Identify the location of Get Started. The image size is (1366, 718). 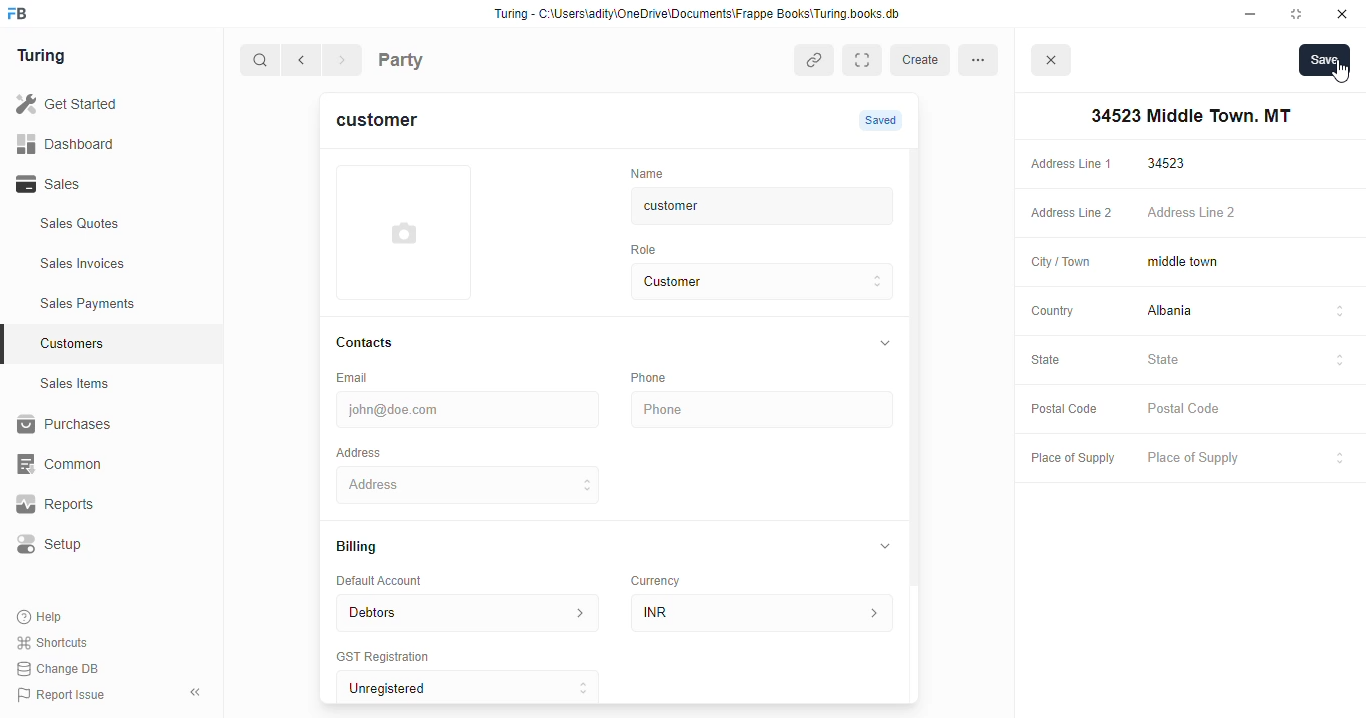
(93, 105).